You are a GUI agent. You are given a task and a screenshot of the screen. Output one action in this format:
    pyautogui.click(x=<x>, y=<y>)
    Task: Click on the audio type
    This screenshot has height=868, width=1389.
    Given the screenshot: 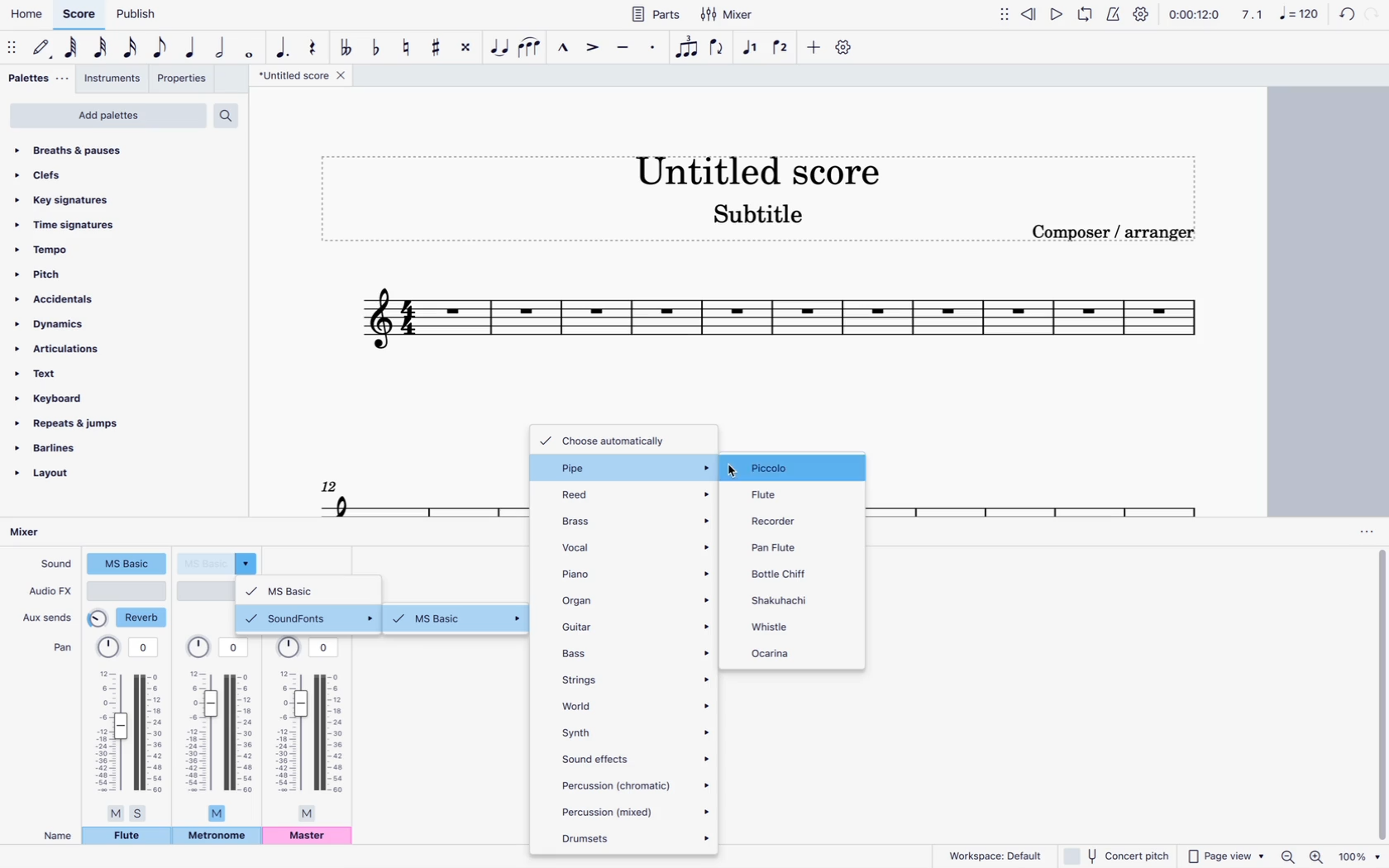 What is the action you would take?
    pyautogui.click(x=128, y=591)
    